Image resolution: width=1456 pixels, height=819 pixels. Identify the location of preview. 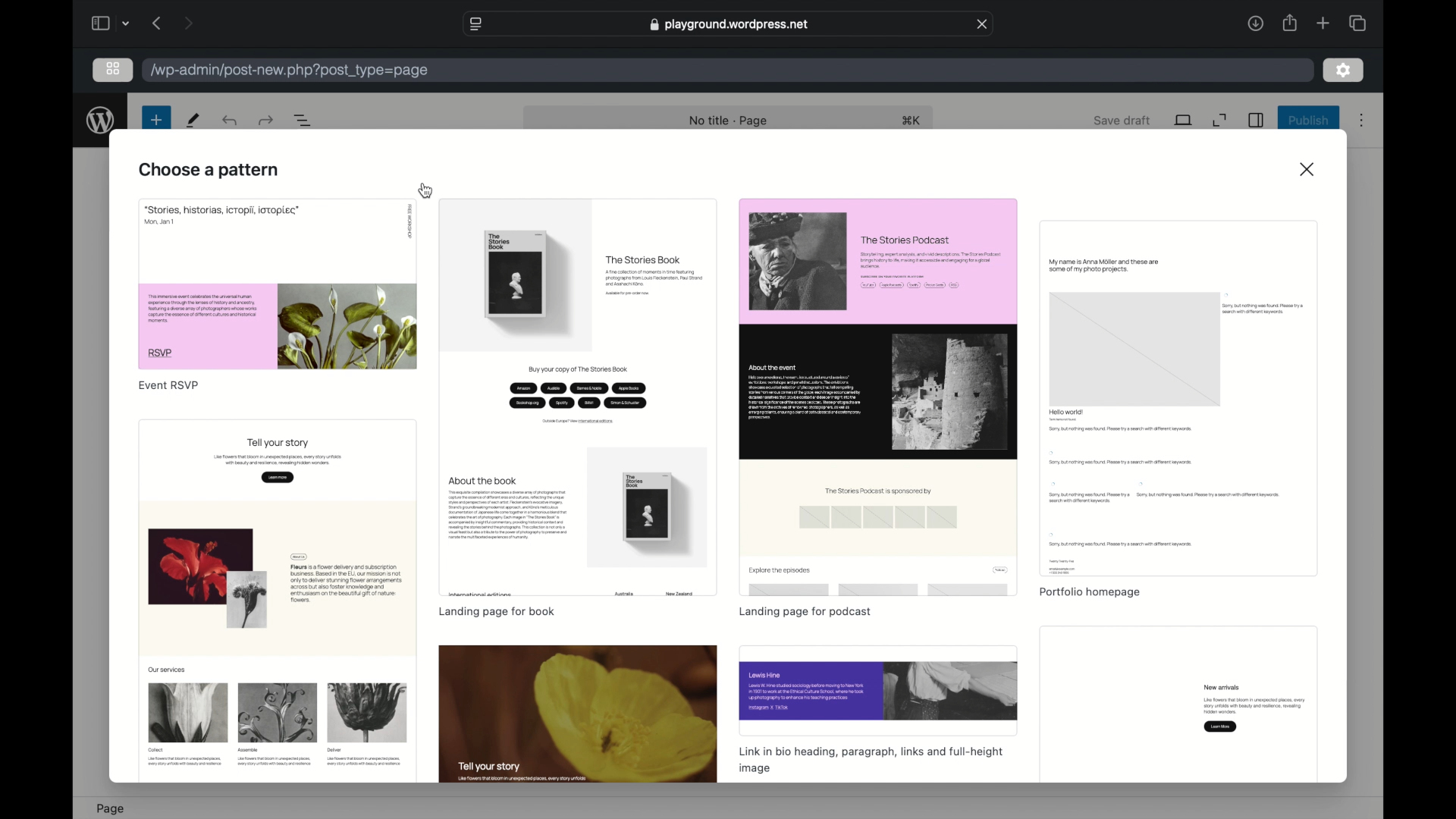
(877, 398).